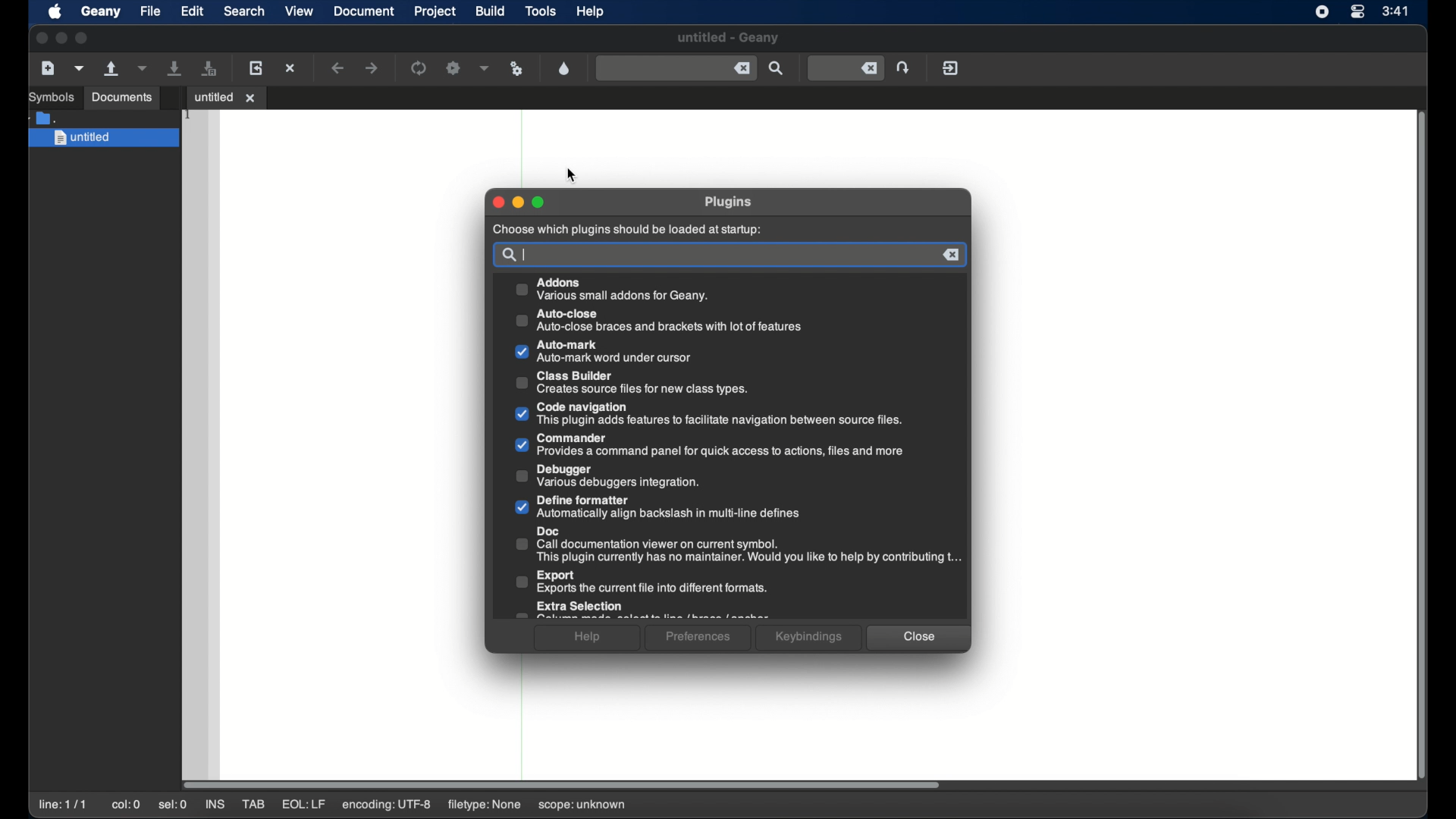  What do you see at coordinates (640, 582) in the screenshot?
I see `export` at bounding box center [640, 582].